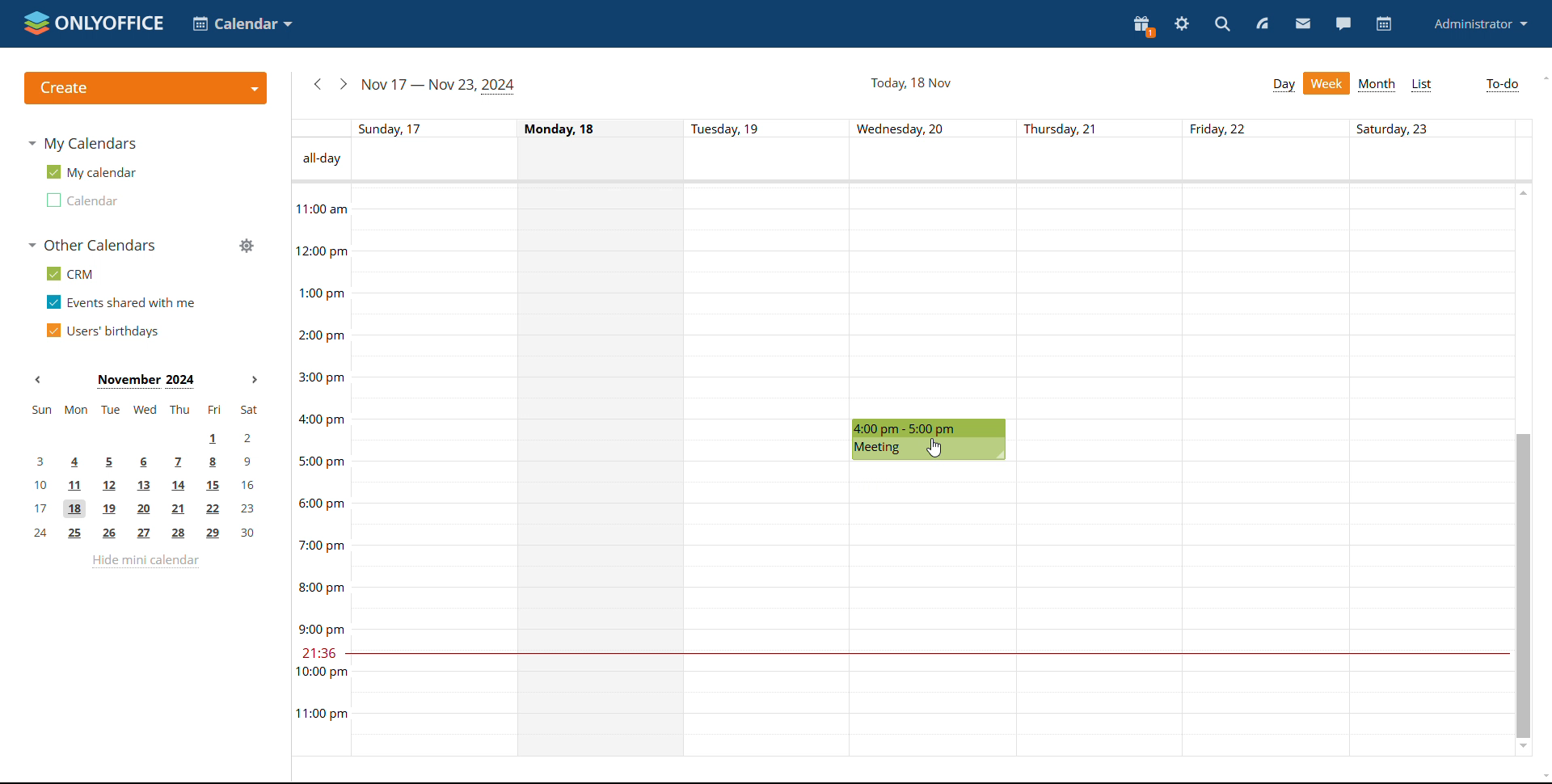 The image size is (1552, 784). I want to click on other calendars, so click(91, 245).